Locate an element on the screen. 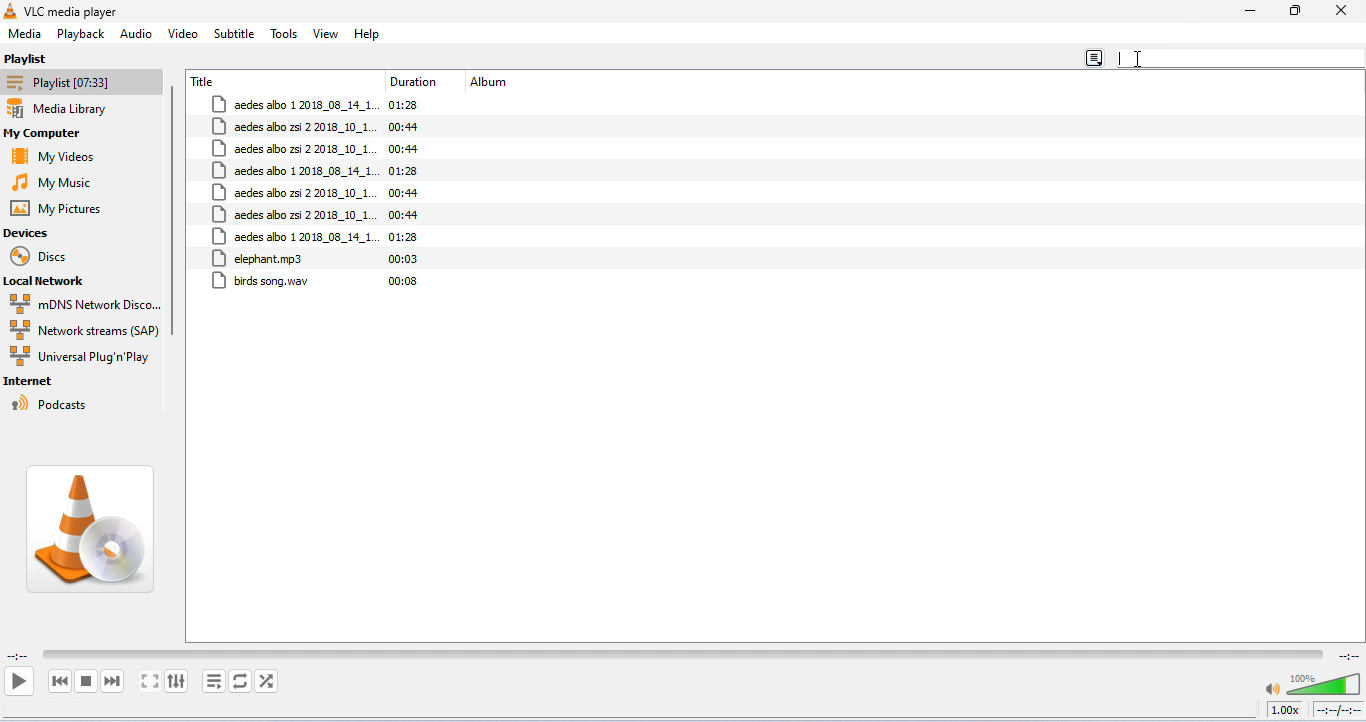 The width and height of the screenshot is (1366, 722). aedes albo zsi 2 2018_08_10_1 is located at coordinates (295, 192).